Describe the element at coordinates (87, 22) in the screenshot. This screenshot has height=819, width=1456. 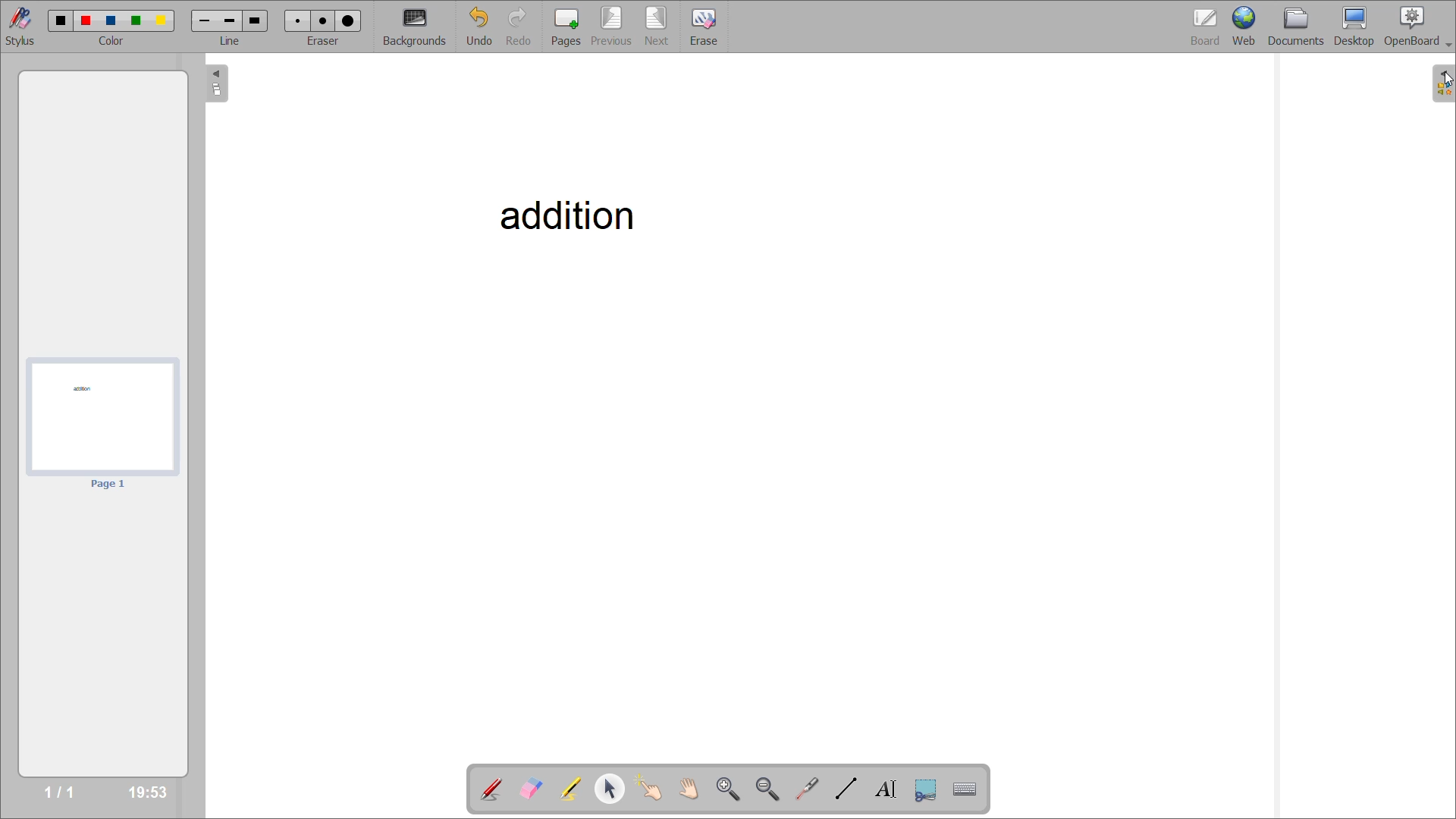
I see `color 2` at that location.